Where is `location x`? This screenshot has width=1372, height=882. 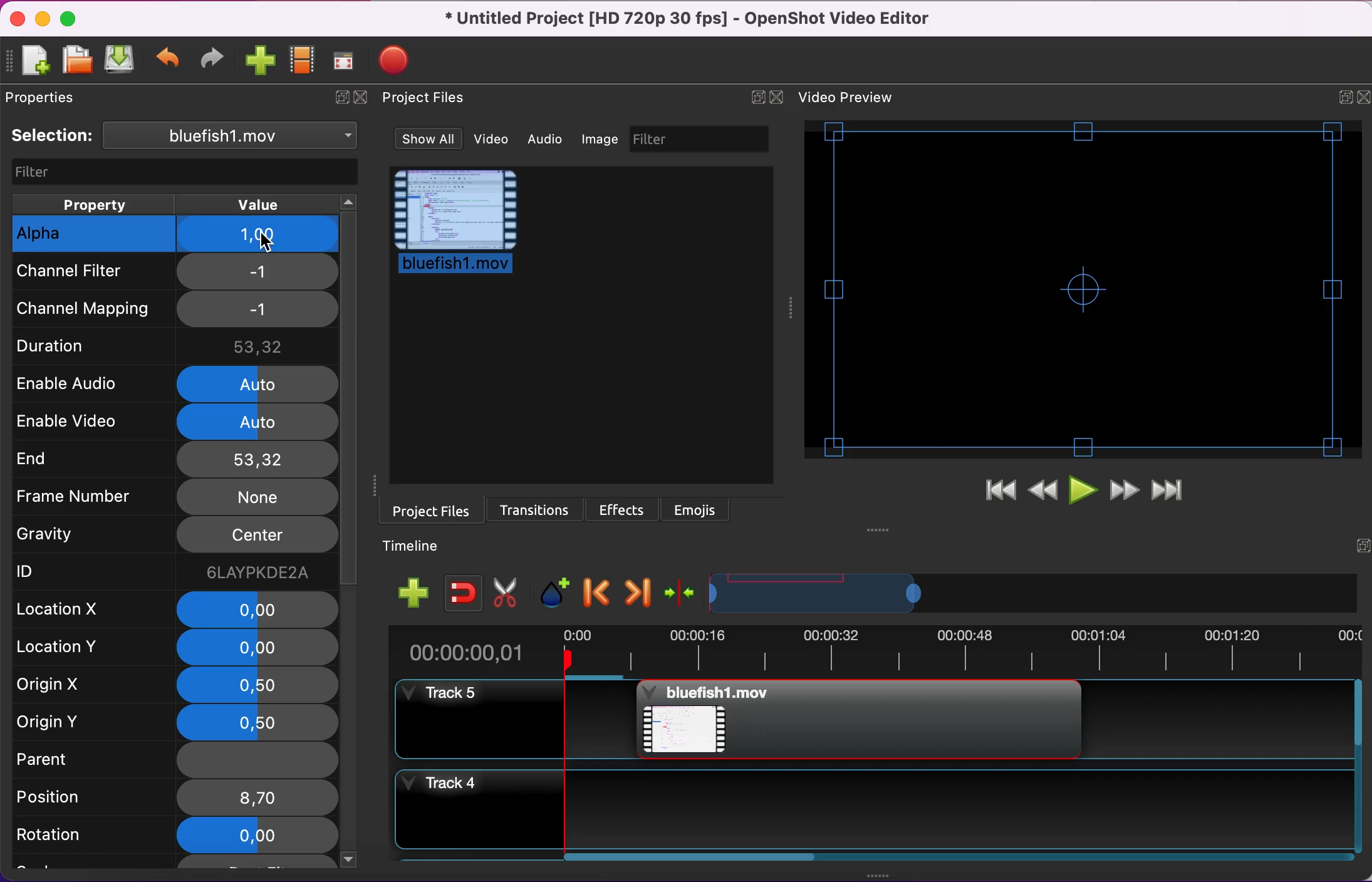
location x is located at coordinates (72, 611).